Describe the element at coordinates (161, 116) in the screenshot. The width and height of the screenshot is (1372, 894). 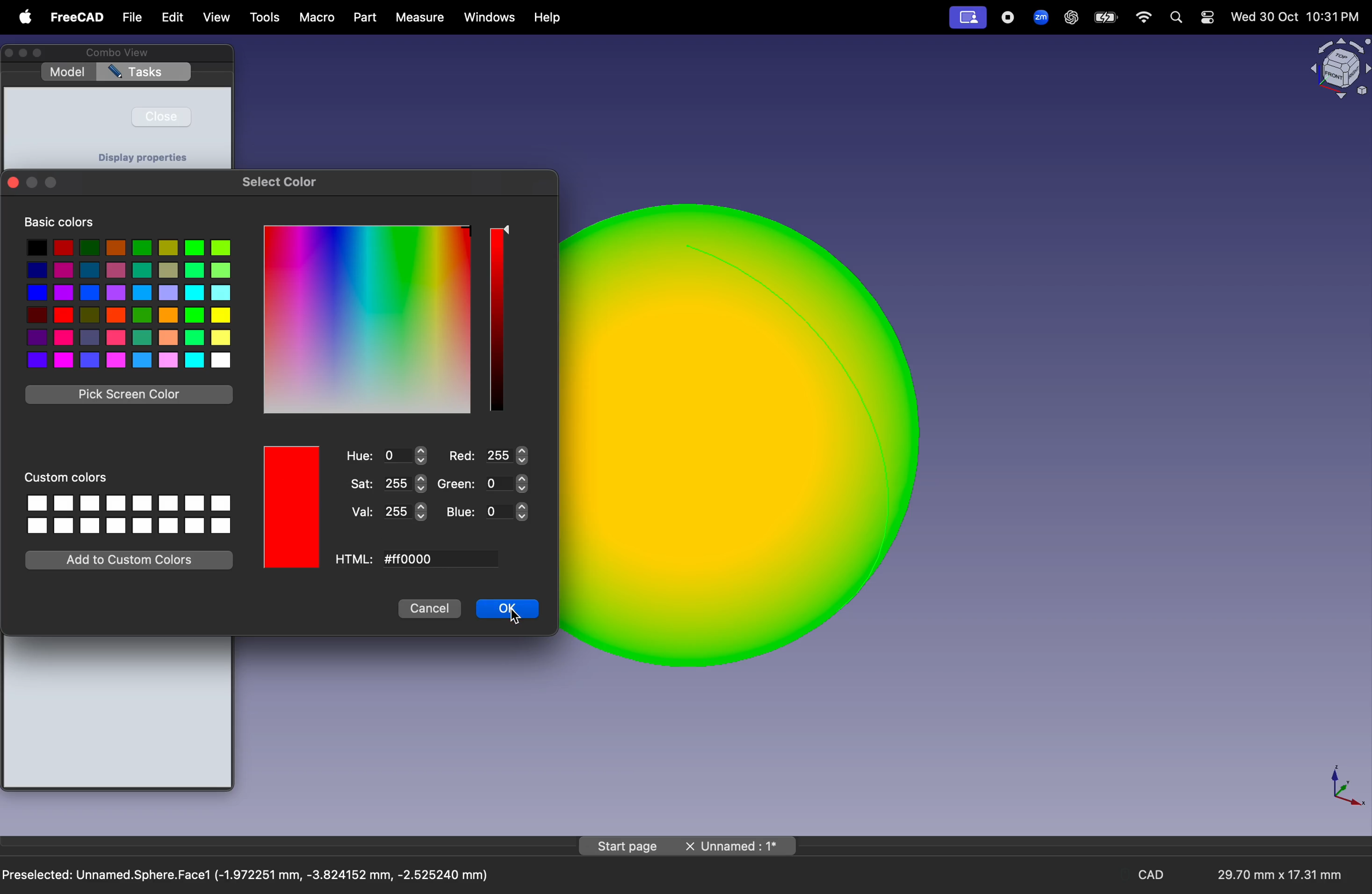
I see `close` at that location.